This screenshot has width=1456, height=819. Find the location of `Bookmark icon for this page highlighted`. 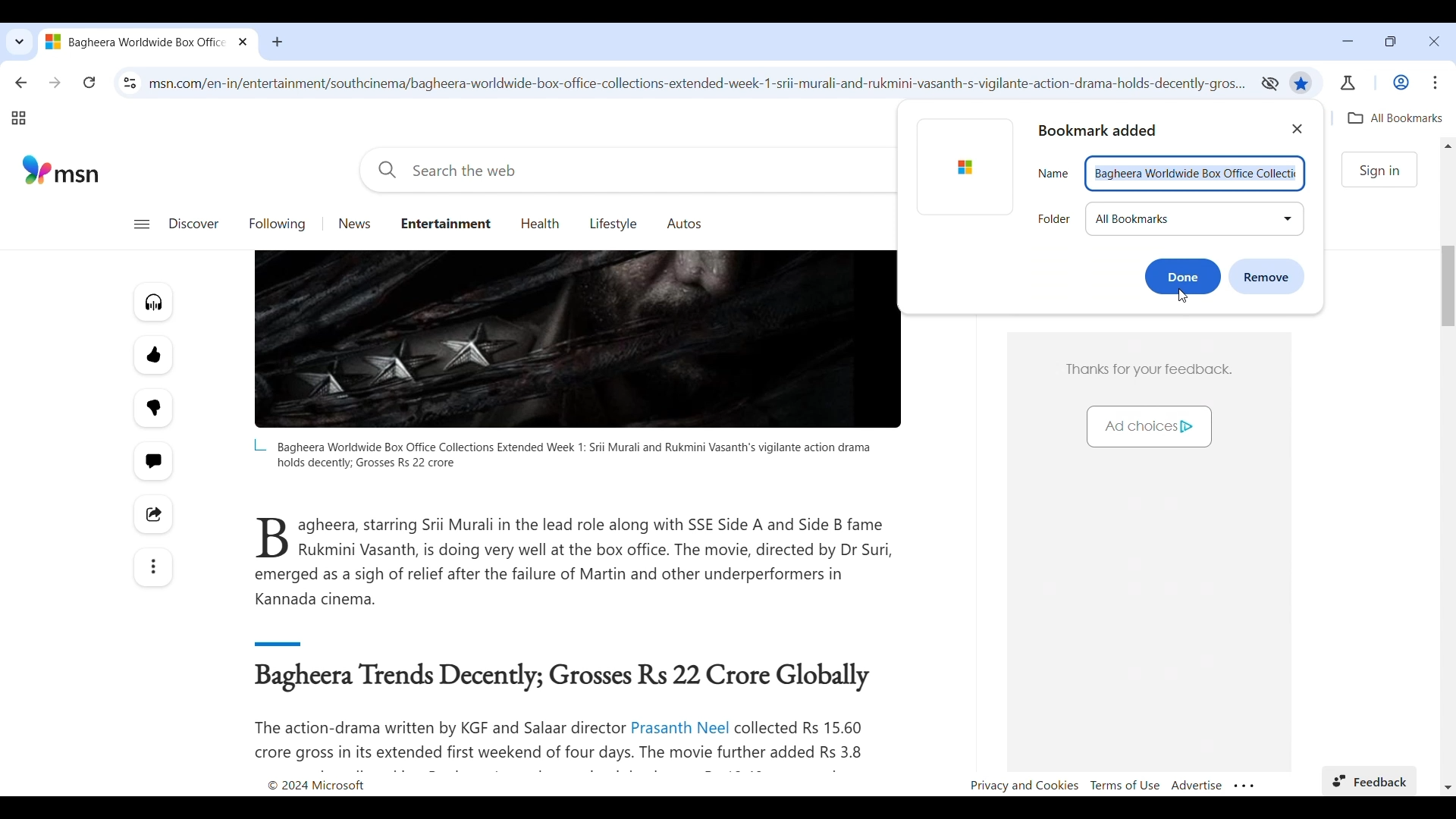

Bookmark icon for this page highlighted is located at coordinates (1301, 84).